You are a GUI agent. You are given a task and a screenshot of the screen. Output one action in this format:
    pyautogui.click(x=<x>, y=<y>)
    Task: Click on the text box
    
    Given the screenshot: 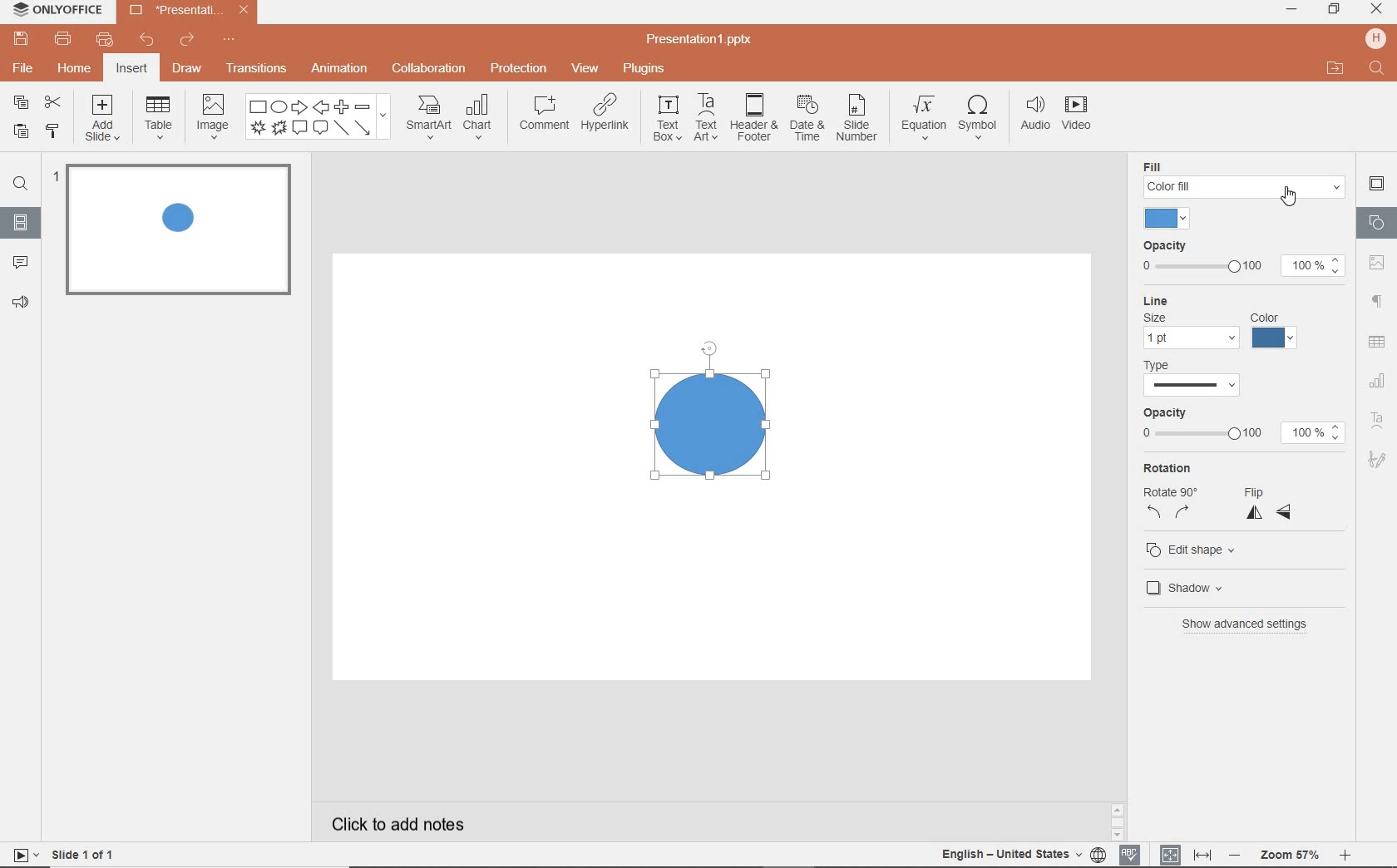 What is the action you would take?
    pyautogui.click(x=667, y=118)
    